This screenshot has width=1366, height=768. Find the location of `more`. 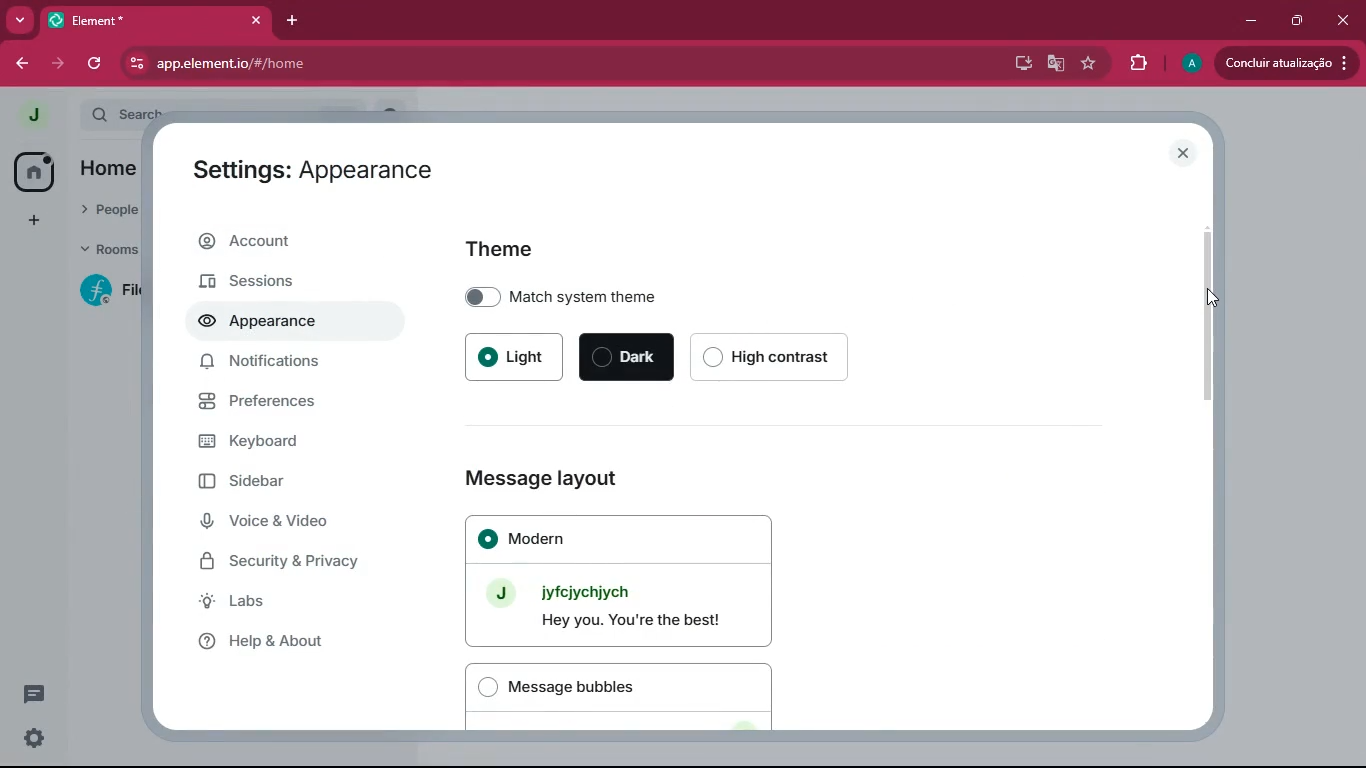

more is located at coordinates (19, 19).